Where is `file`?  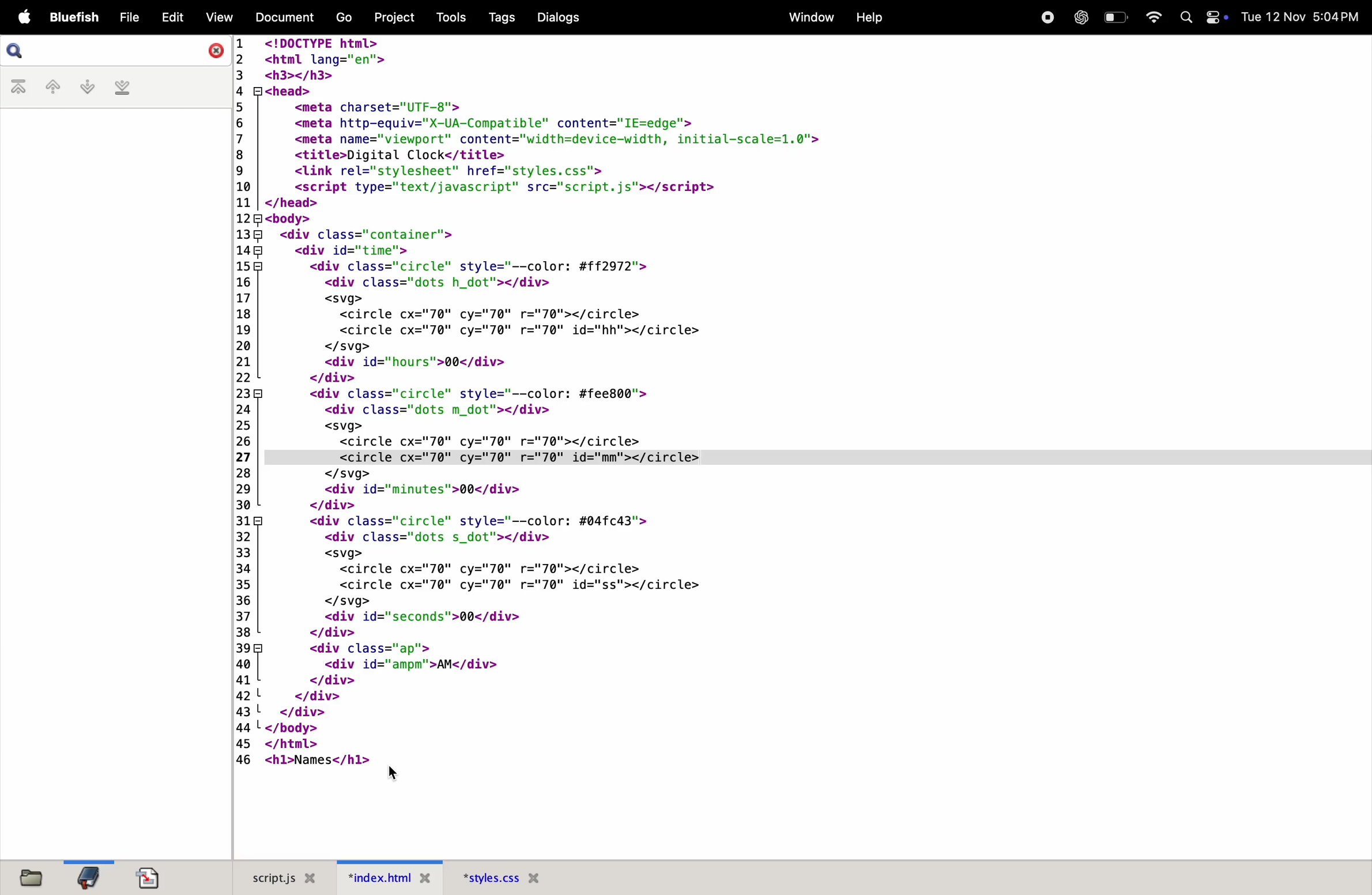 file is located at coordinates (127, 18).